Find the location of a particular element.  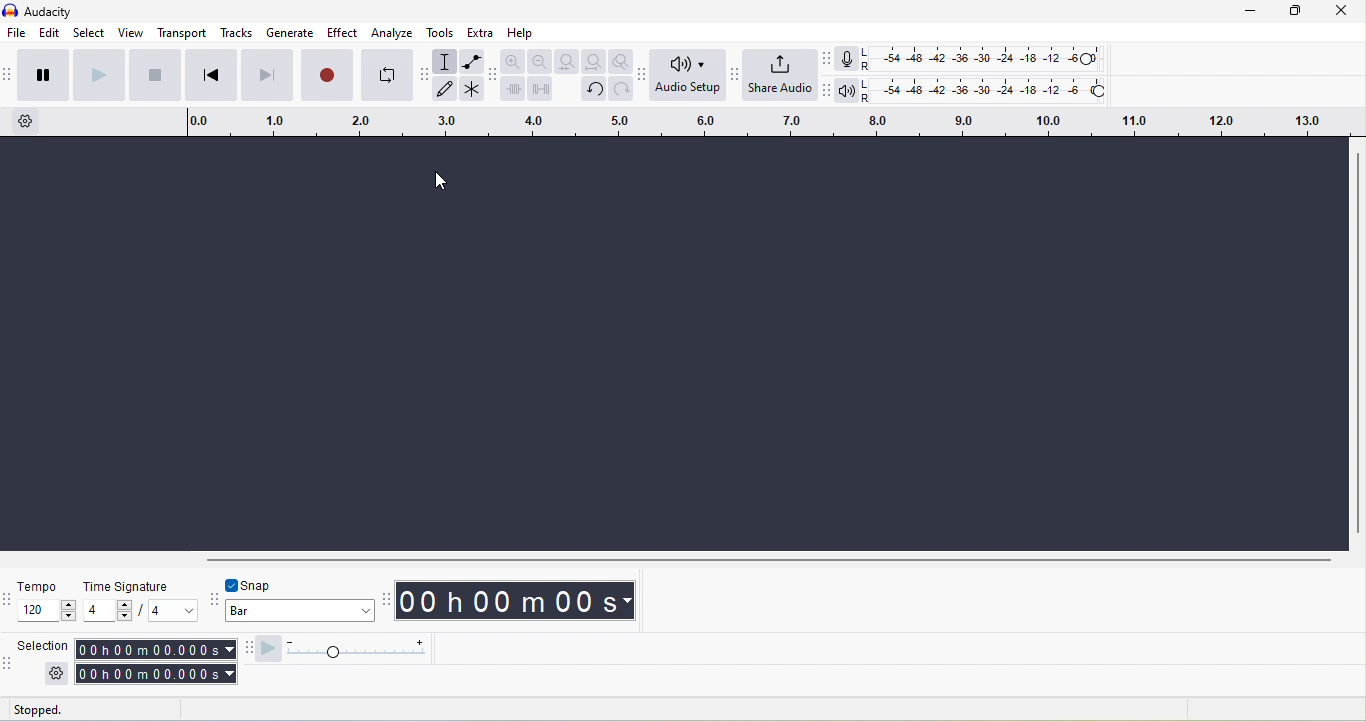

record is located at coordinates (327, 75).